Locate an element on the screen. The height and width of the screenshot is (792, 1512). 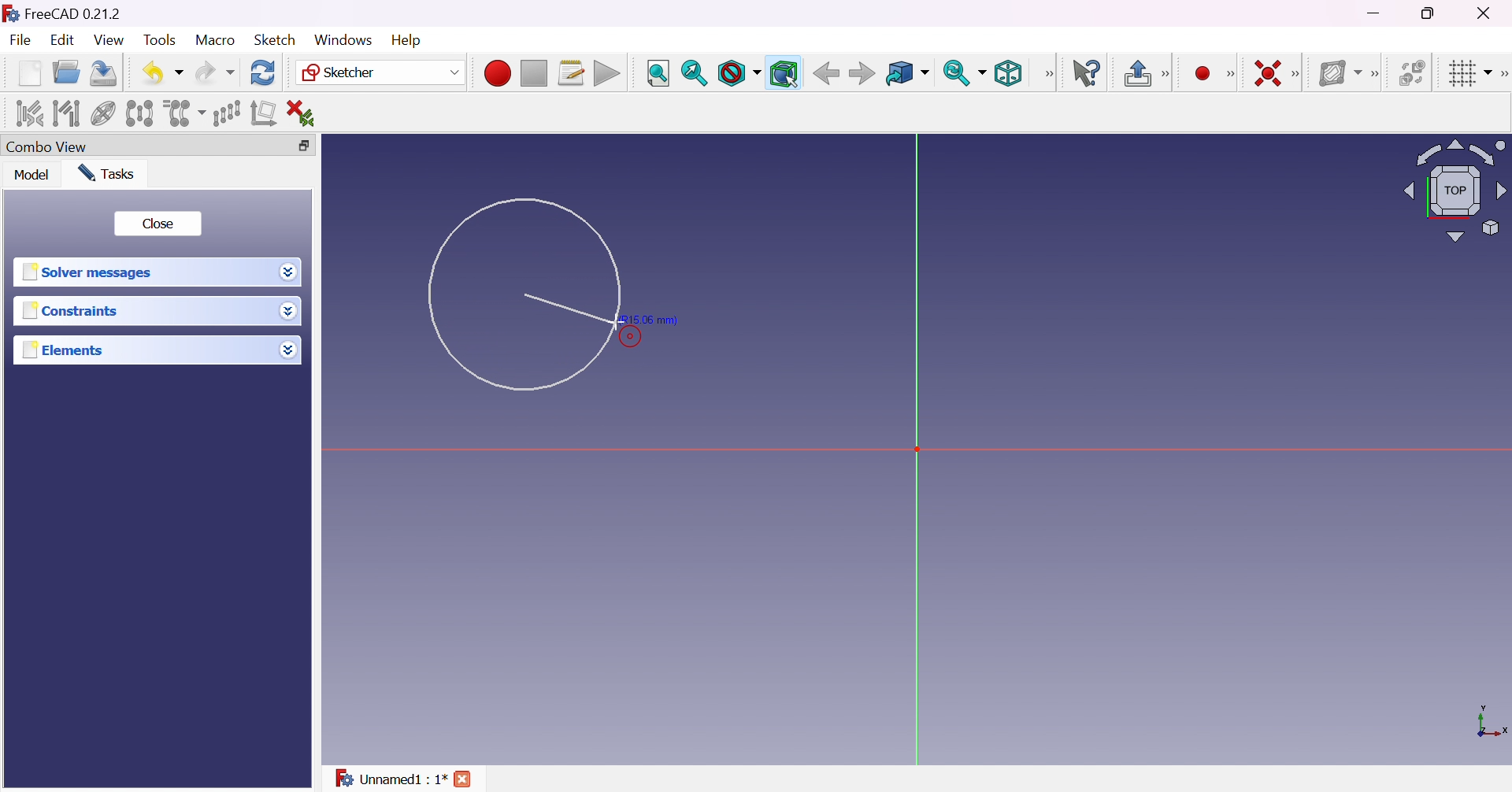
Cursor is located at coordinates (618, 323).